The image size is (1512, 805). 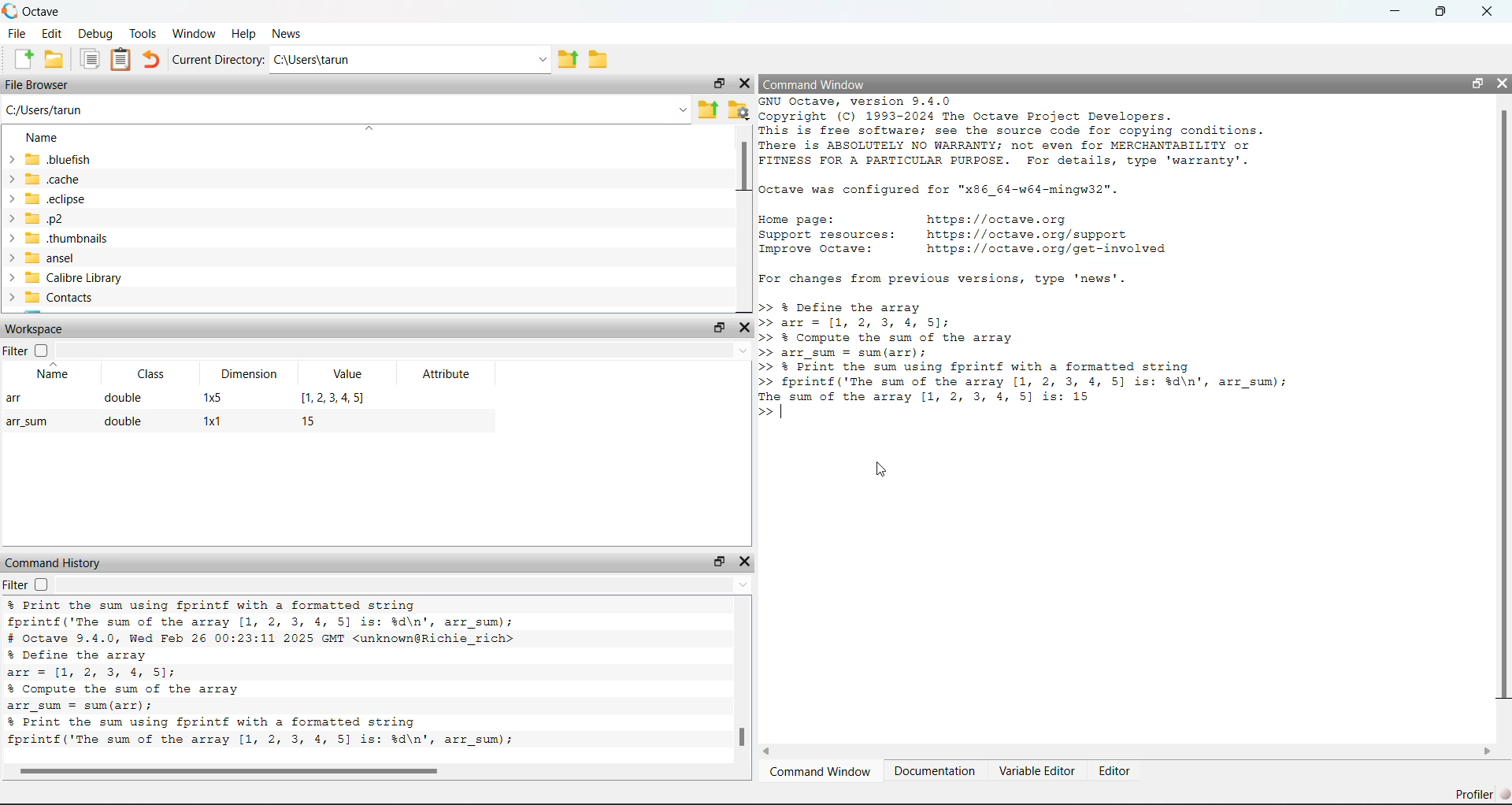 What do you see at coordinates (120, 421) in the screenshot?
I see `double` at bounding box center [120, 421].